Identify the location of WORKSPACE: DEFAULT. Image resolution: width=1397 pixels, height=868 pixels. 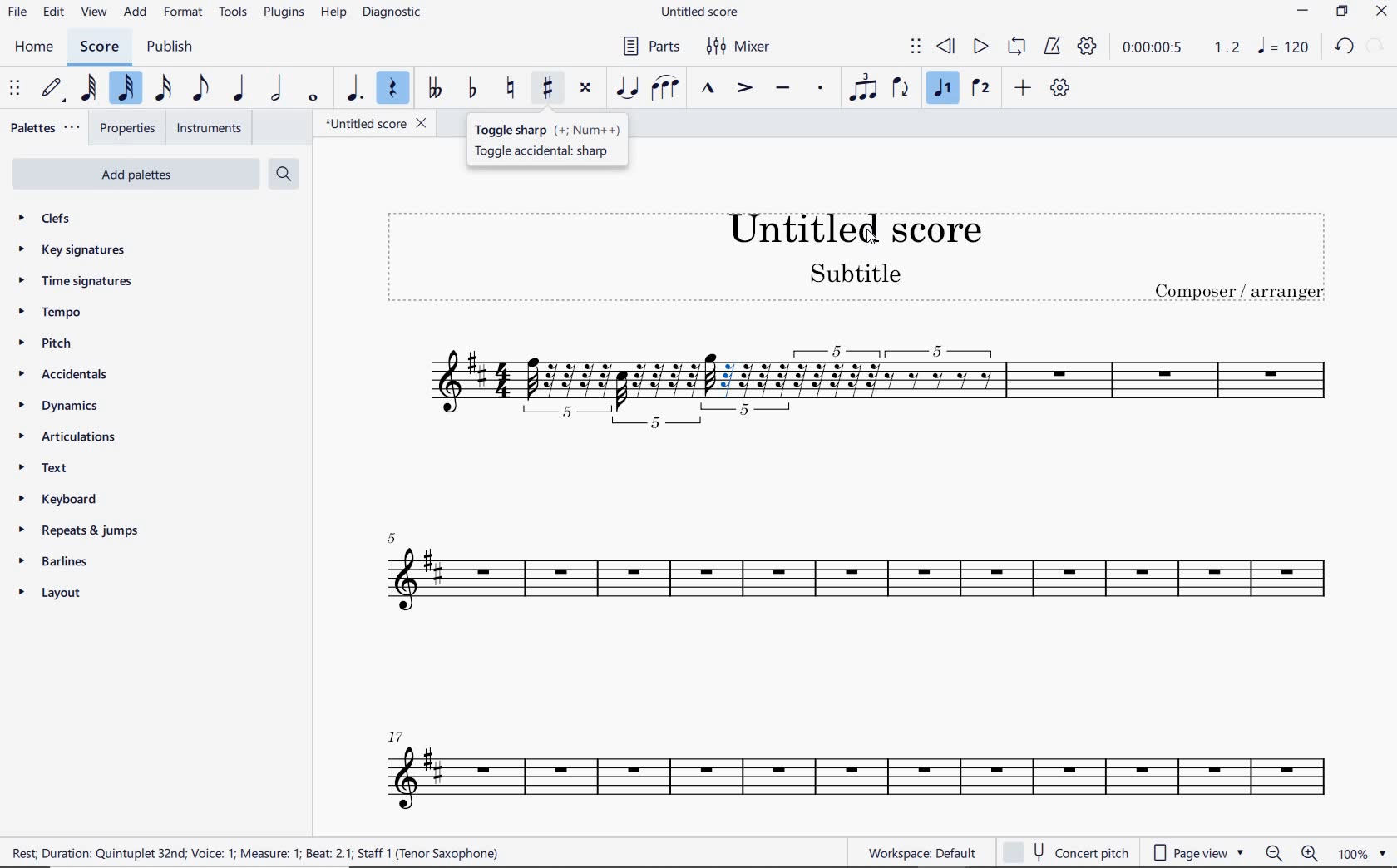
(926, 852).